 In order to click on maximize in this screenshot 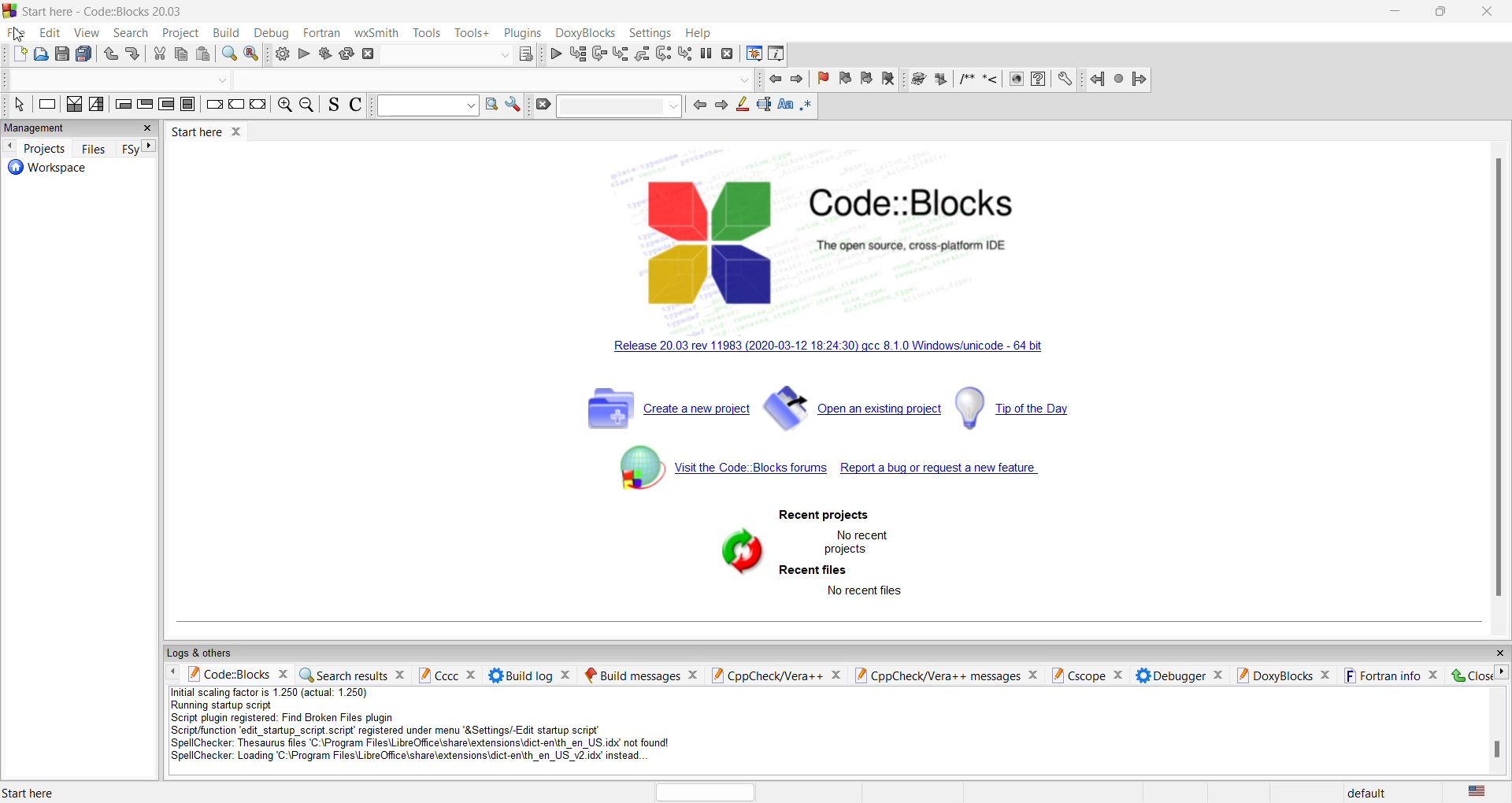, I will do `click(1442, 13)`.